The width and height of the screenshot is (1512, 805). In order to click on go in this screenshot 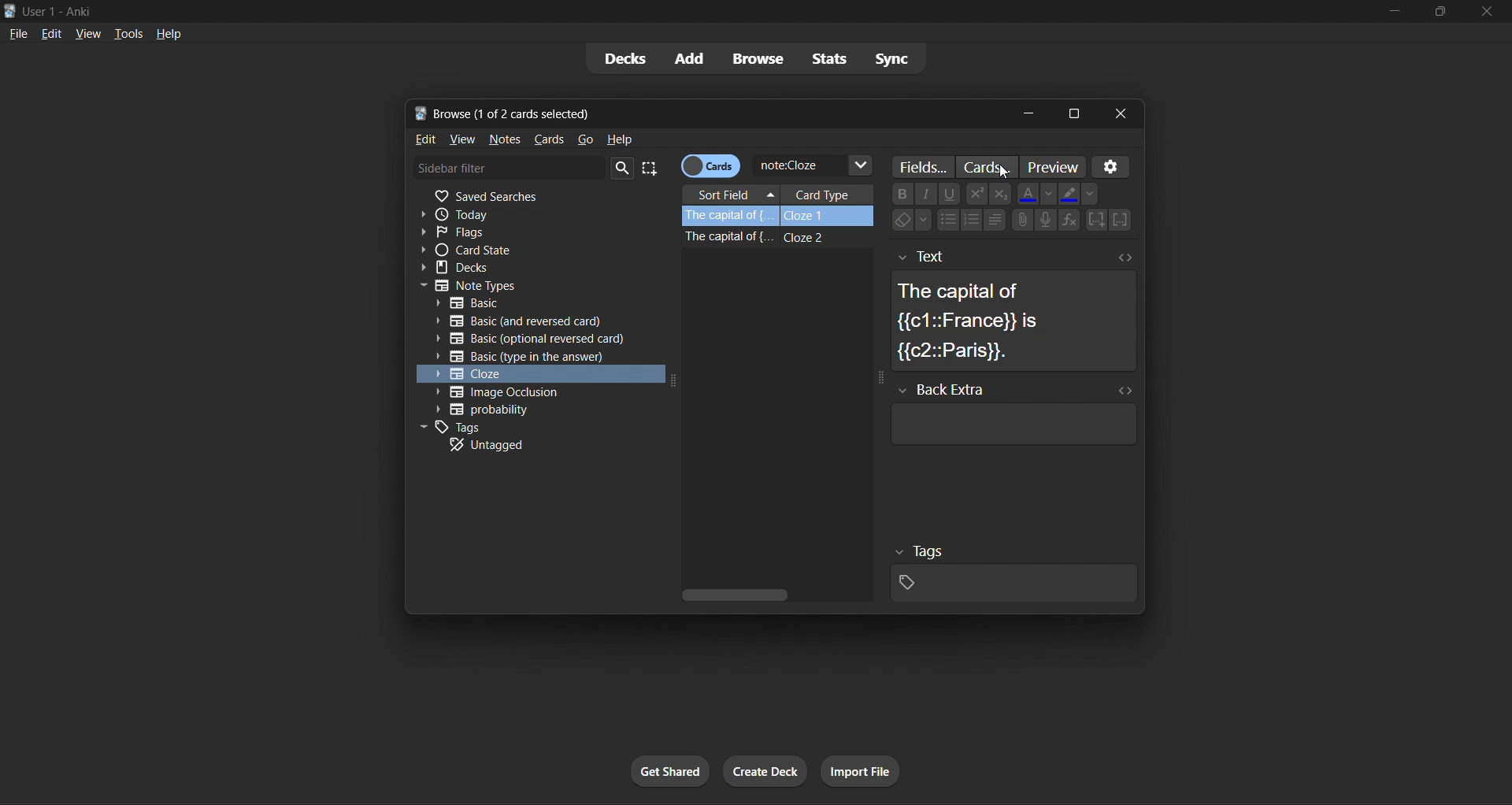, I will do `click(589, 141)`.